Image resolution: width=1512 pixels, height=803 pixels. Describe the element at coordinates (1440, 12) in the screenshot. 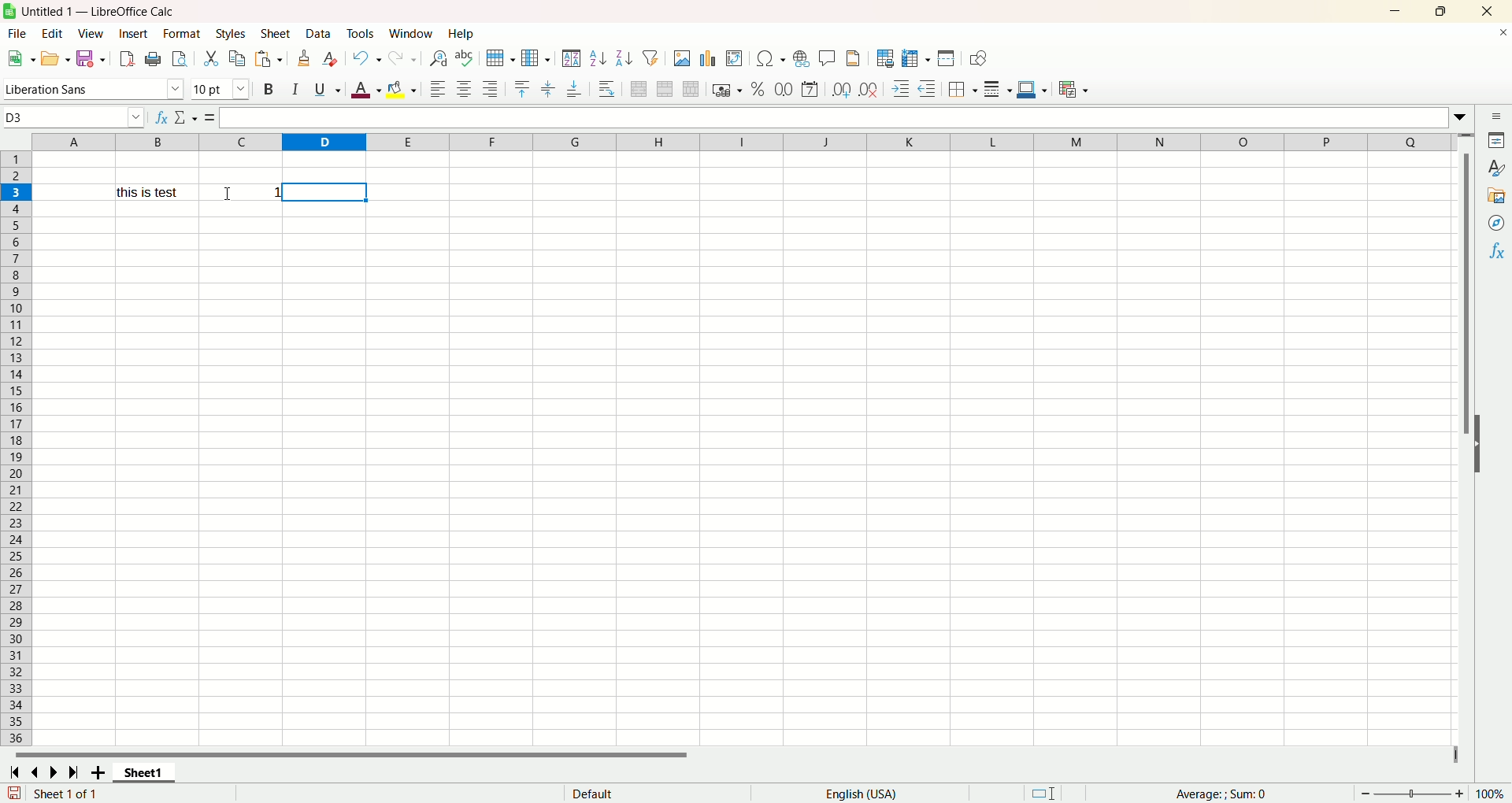

I see `Maximize` at that location.